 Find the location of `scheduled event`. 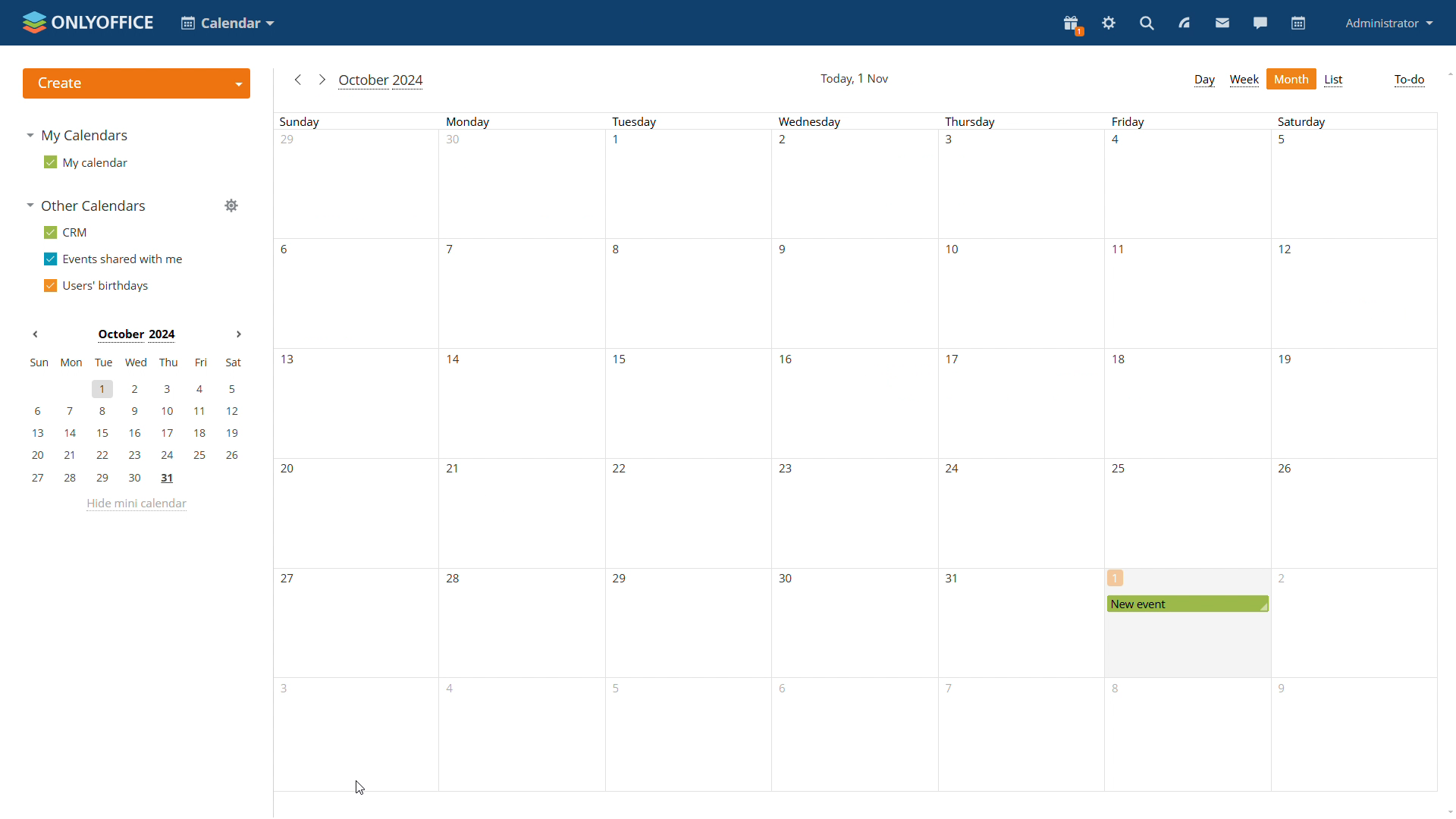

scheduled event is located at coordinates (1188, 604).